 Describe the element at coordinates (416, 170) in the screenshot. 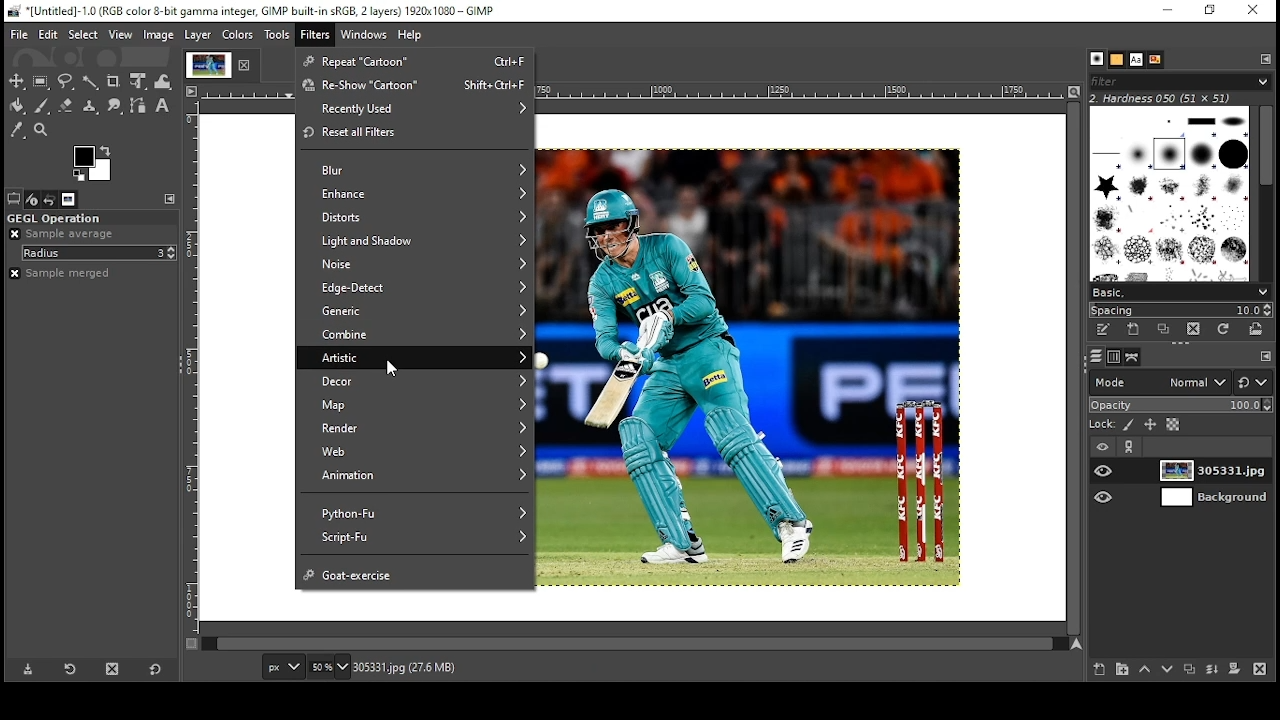

I see `blur` at that location.